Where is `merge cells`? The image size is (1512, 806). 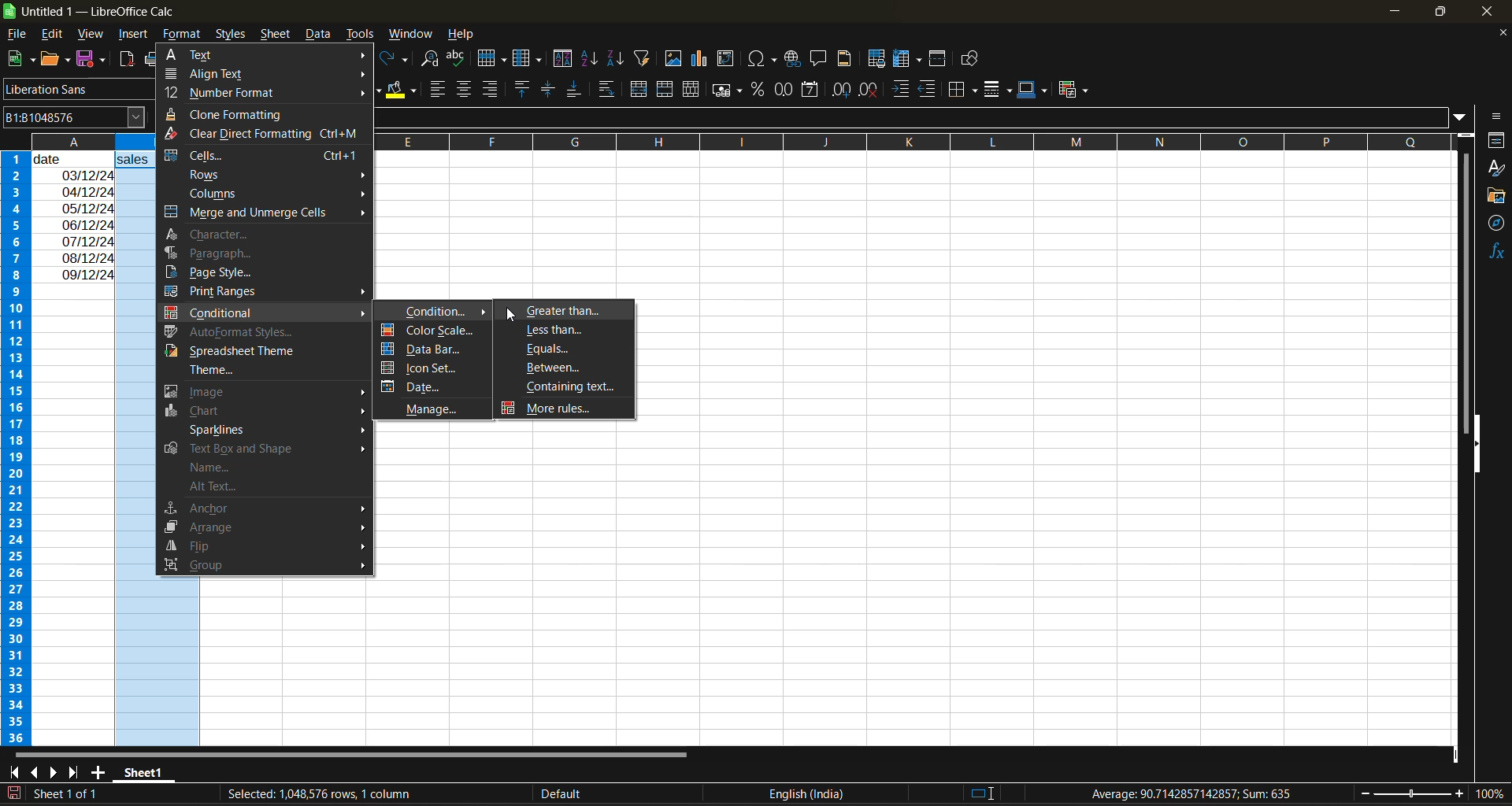 merge cells is located at coordinates (666, 89).